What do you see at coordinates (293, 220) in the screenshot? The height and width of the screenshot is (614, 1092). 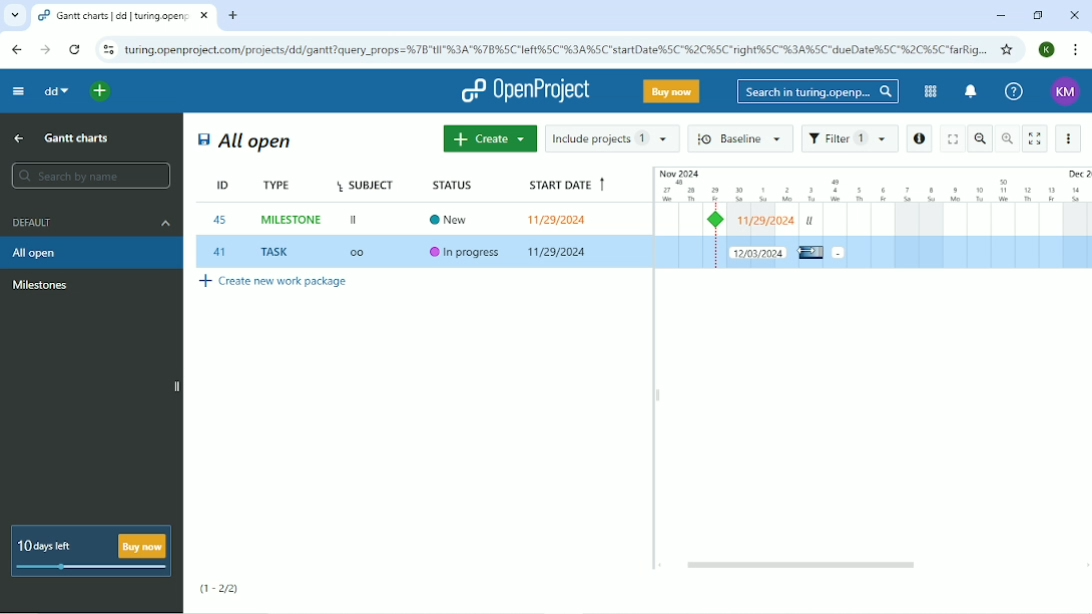 I see `MILESTONE` at bounding box center [293, 220].